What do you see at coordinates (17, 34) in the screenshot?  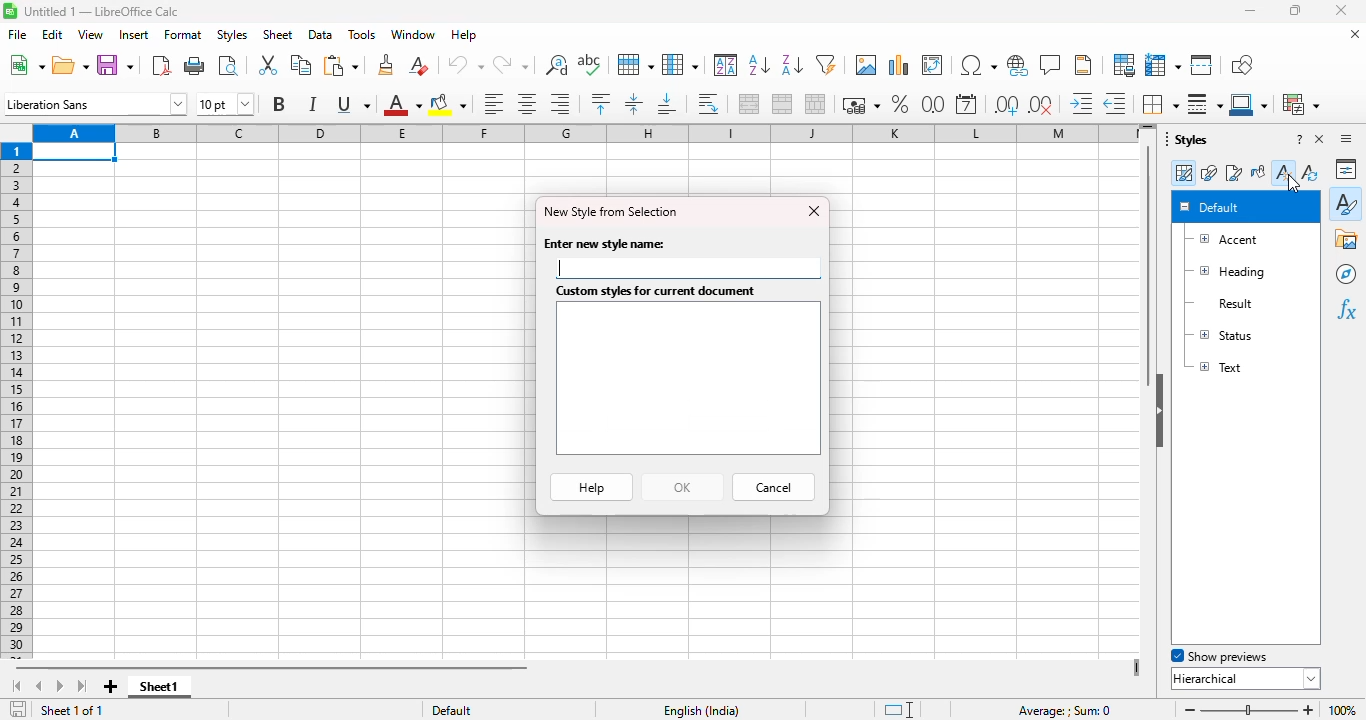 I see `file` at bounding box center [17, 34].